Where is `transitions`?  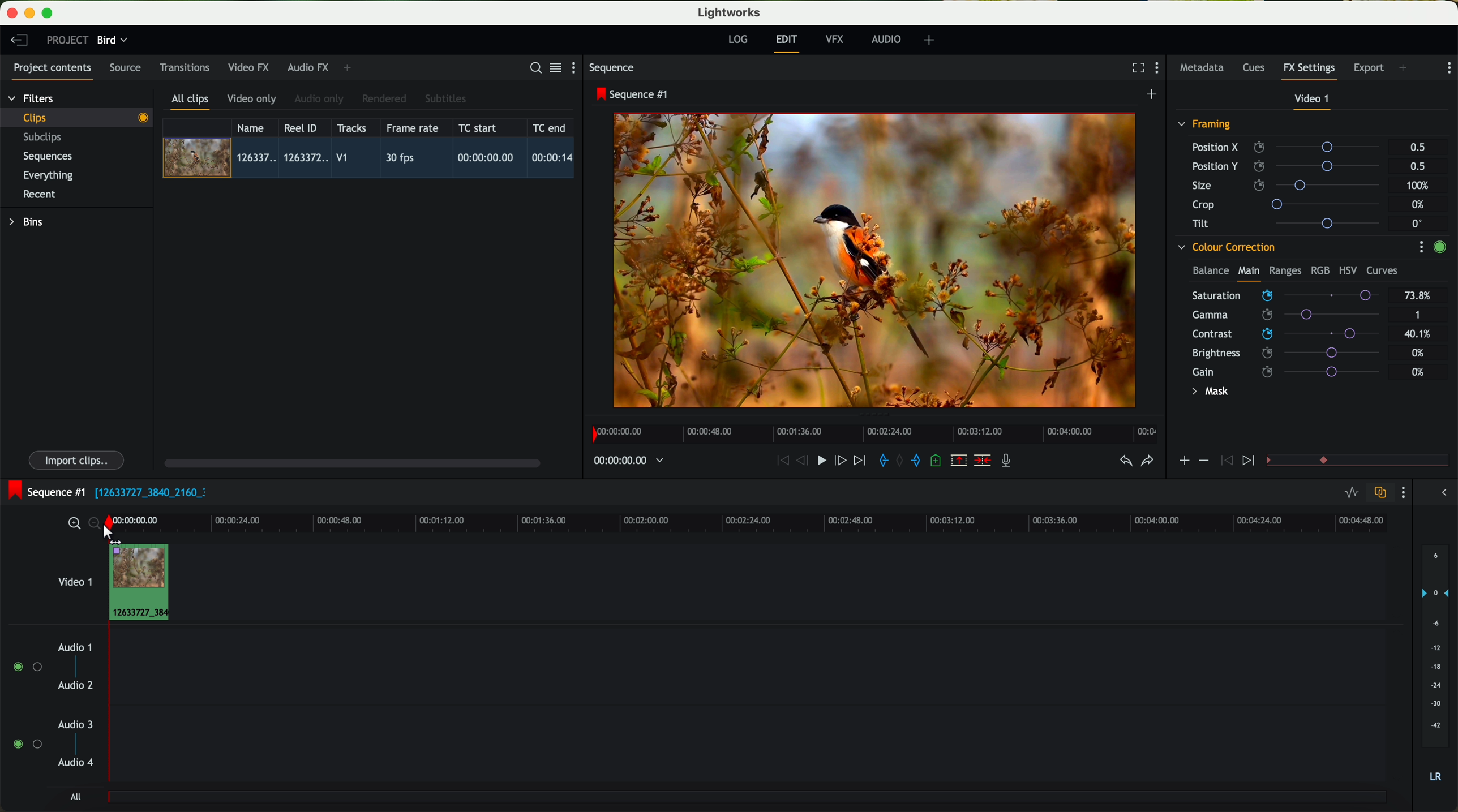 transitions is located at coordinates (184, 67).